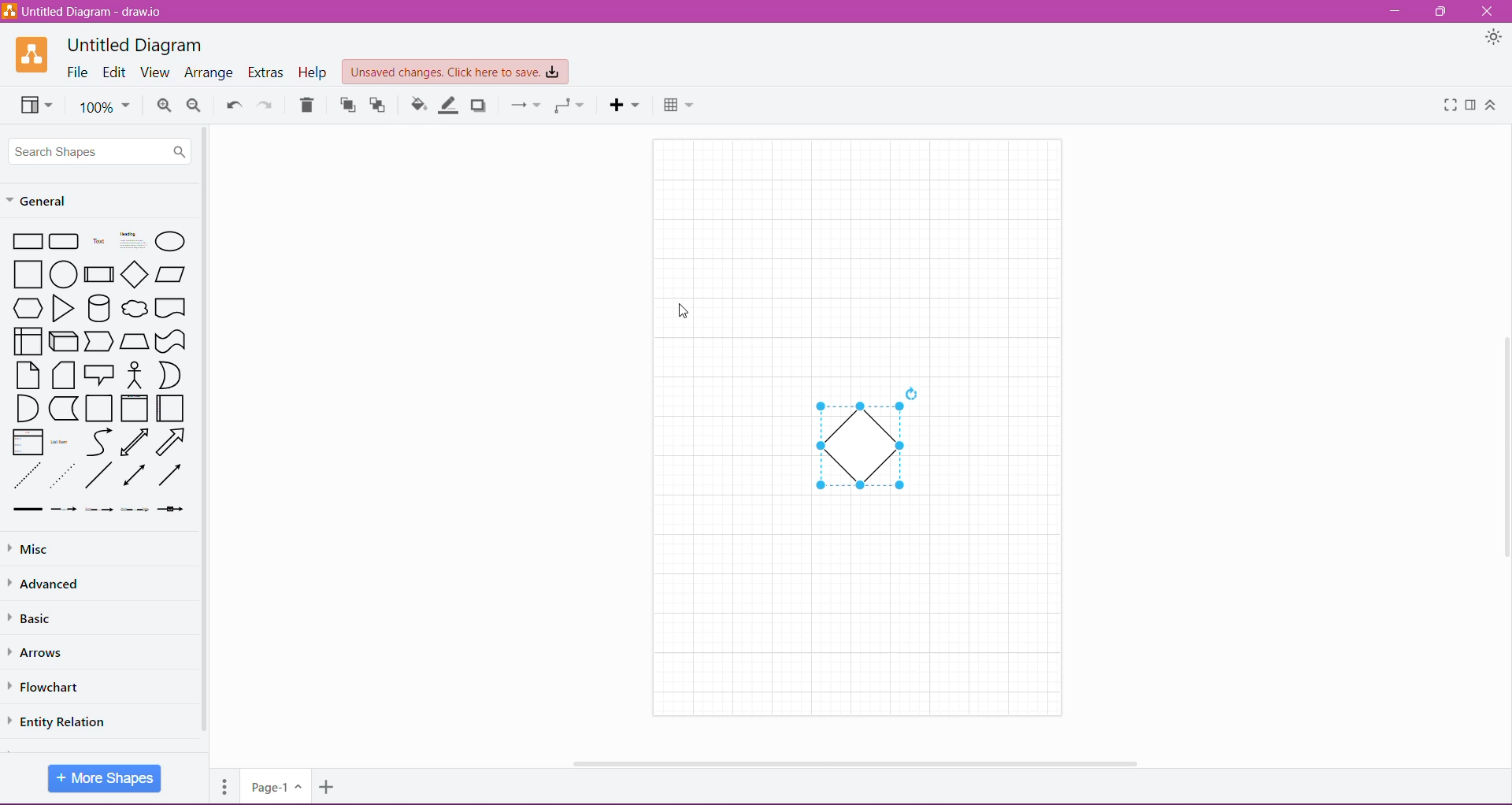 This screenshot has height=805, width=1512. What do you see at coordinates (1488, 10) in the screenshot?
I see `Close` at bounding box center [1488, 10].